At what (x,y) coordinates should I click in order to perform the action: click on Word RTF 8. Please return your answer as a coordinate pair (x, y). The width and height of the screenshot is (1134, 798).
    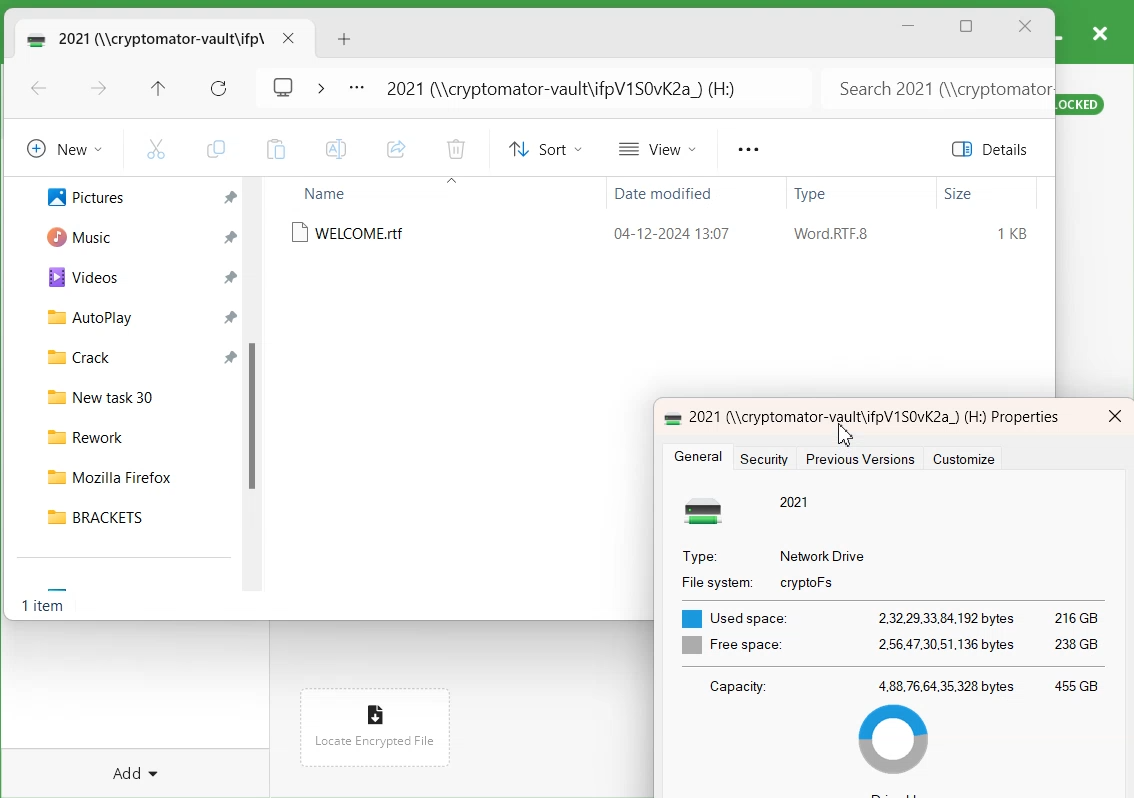
    Looking at the image, I should click on (831, 234).